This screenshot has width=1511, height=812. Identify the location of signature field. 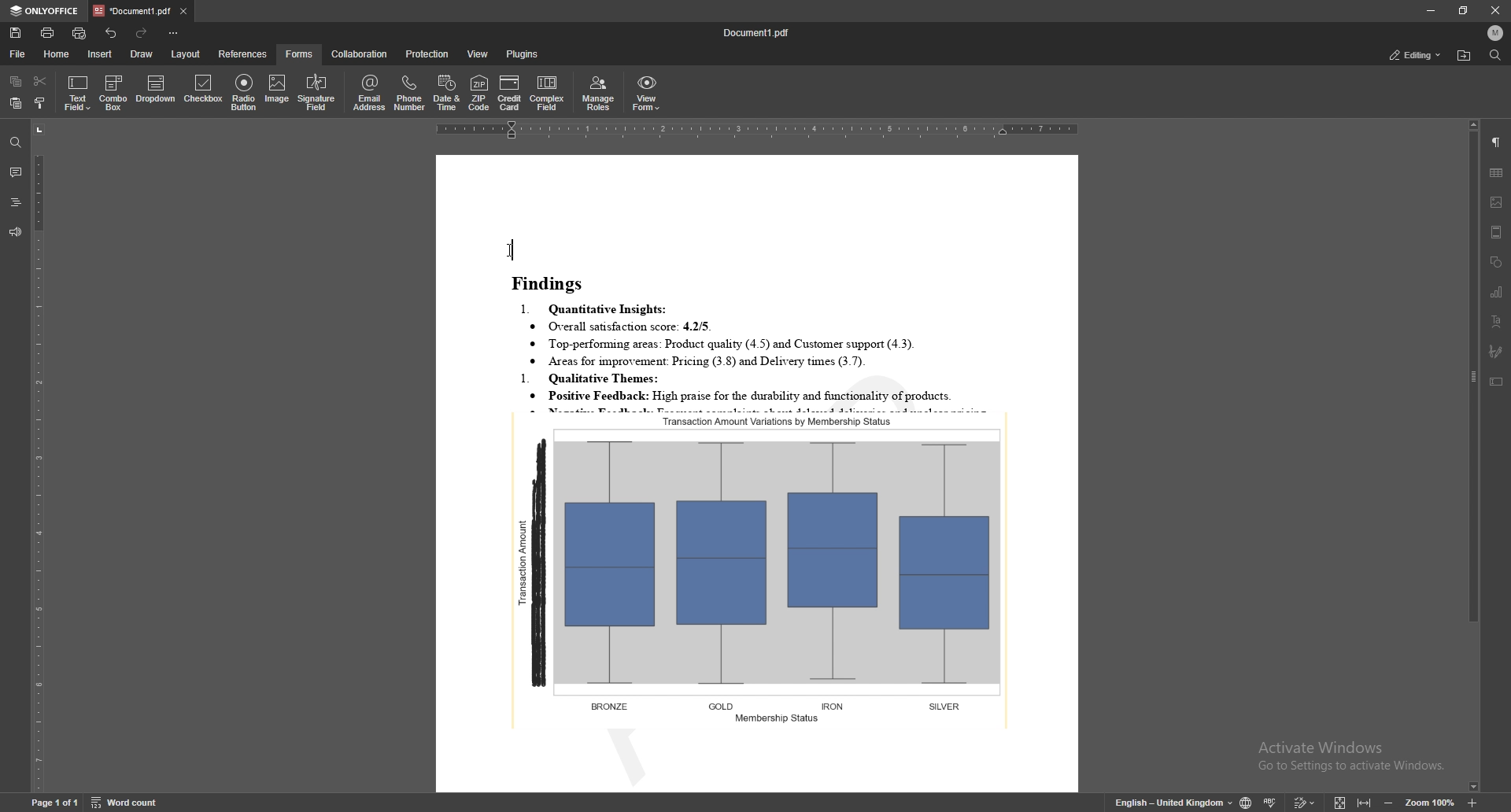
(1495, 352).